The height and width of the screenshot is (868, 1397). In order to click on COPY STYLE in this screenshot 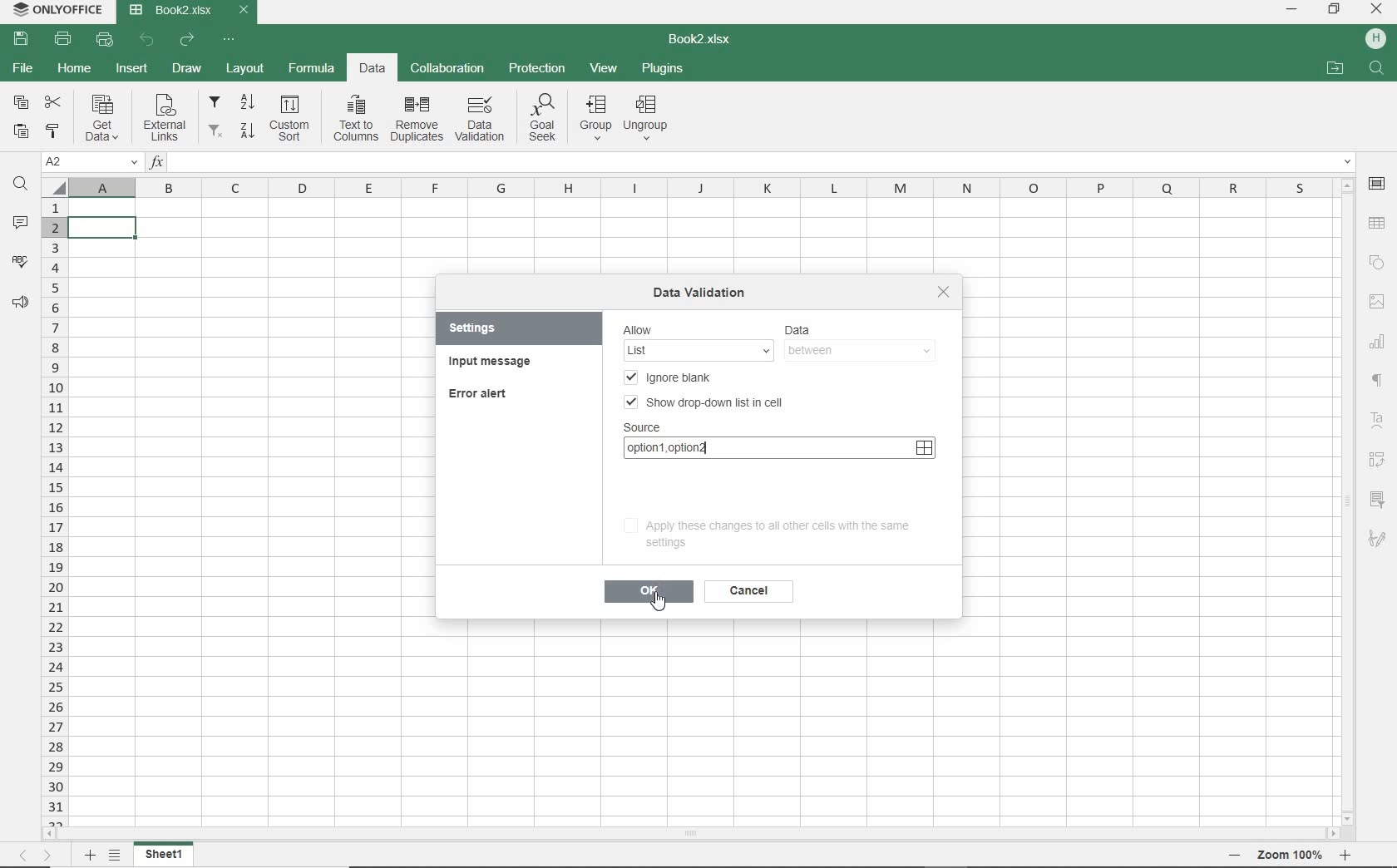, I will do `click(54, 132)`.